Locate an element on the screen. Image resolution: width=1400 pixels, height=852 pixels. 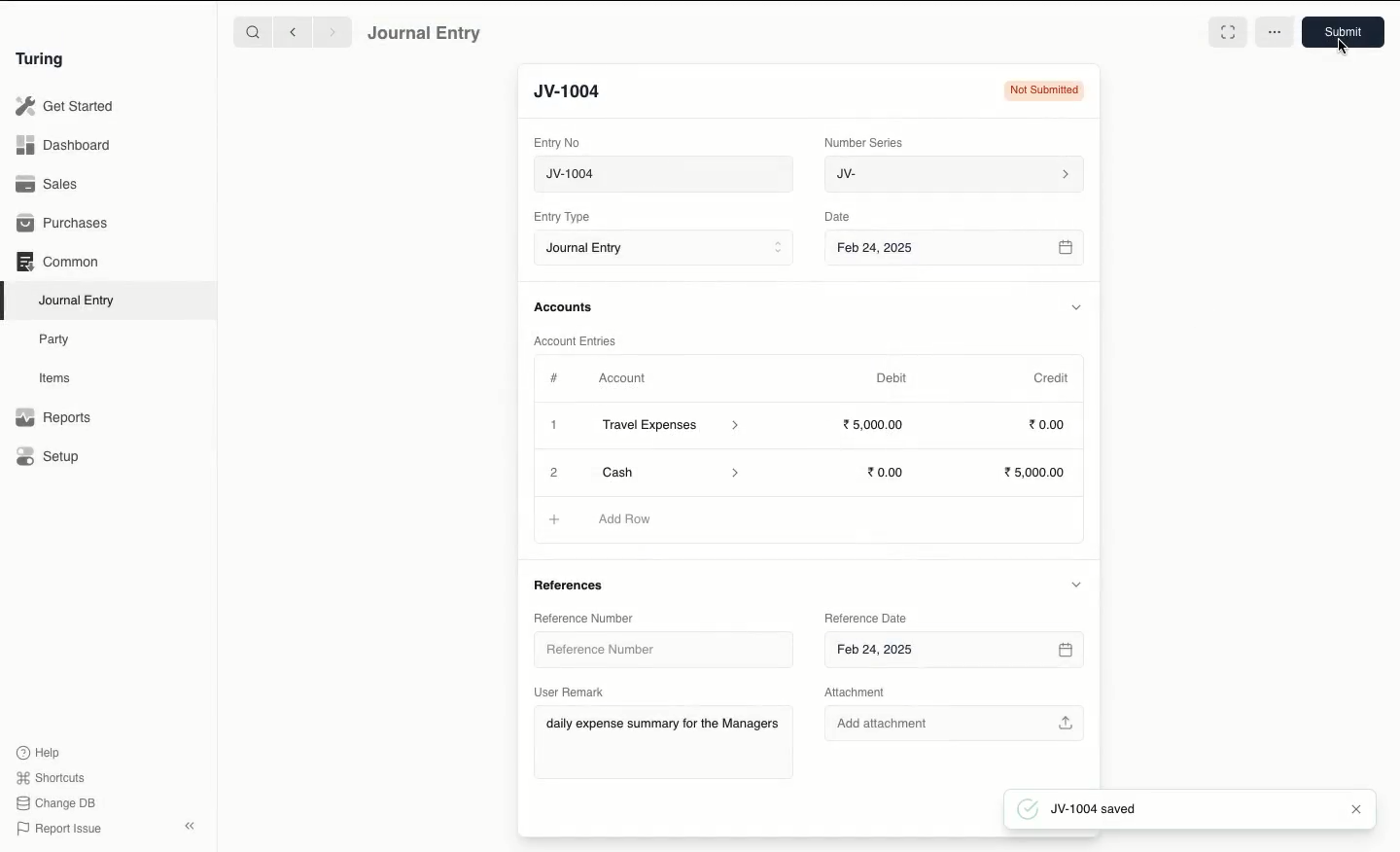
Journal Entry is located at coordinates (78, 302).